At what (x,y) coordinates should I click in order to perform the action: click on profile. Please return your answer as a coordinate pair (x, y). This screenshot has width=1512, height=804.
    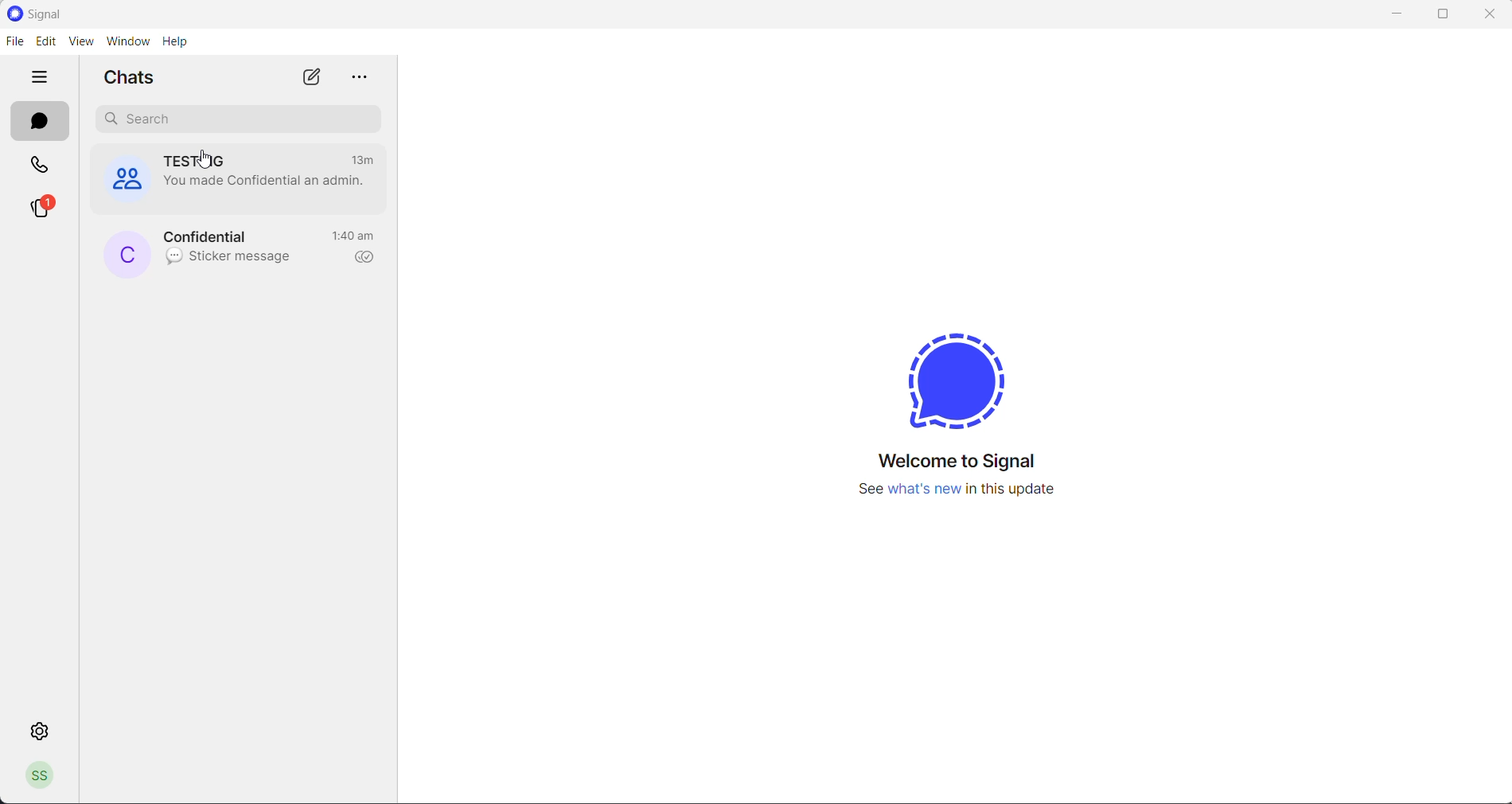
    Looking at the image, I should click on (45, 775).